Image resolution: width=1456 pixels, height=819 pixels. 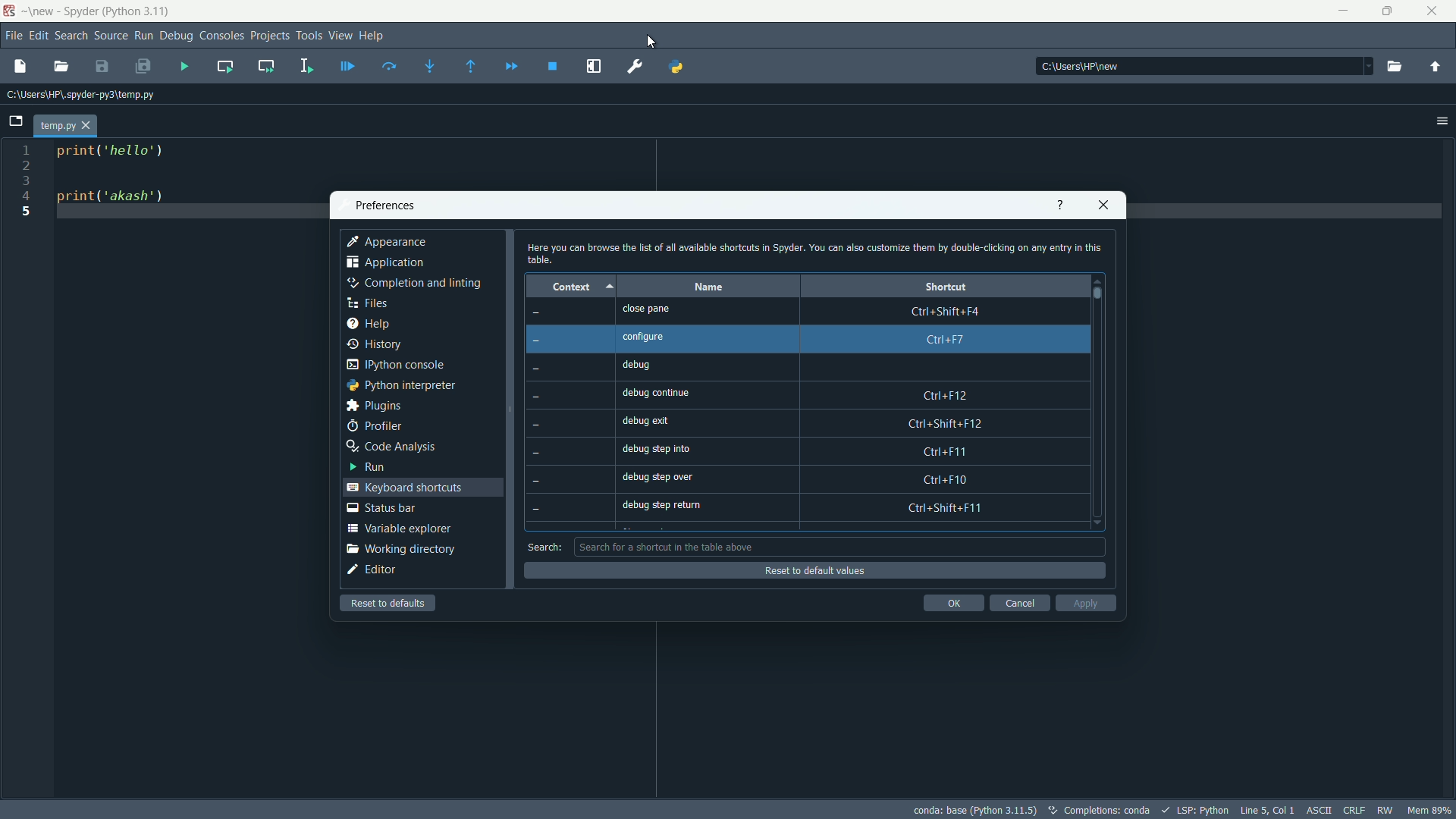 I want to click on maximize current pane, so click(x=594, y=67).